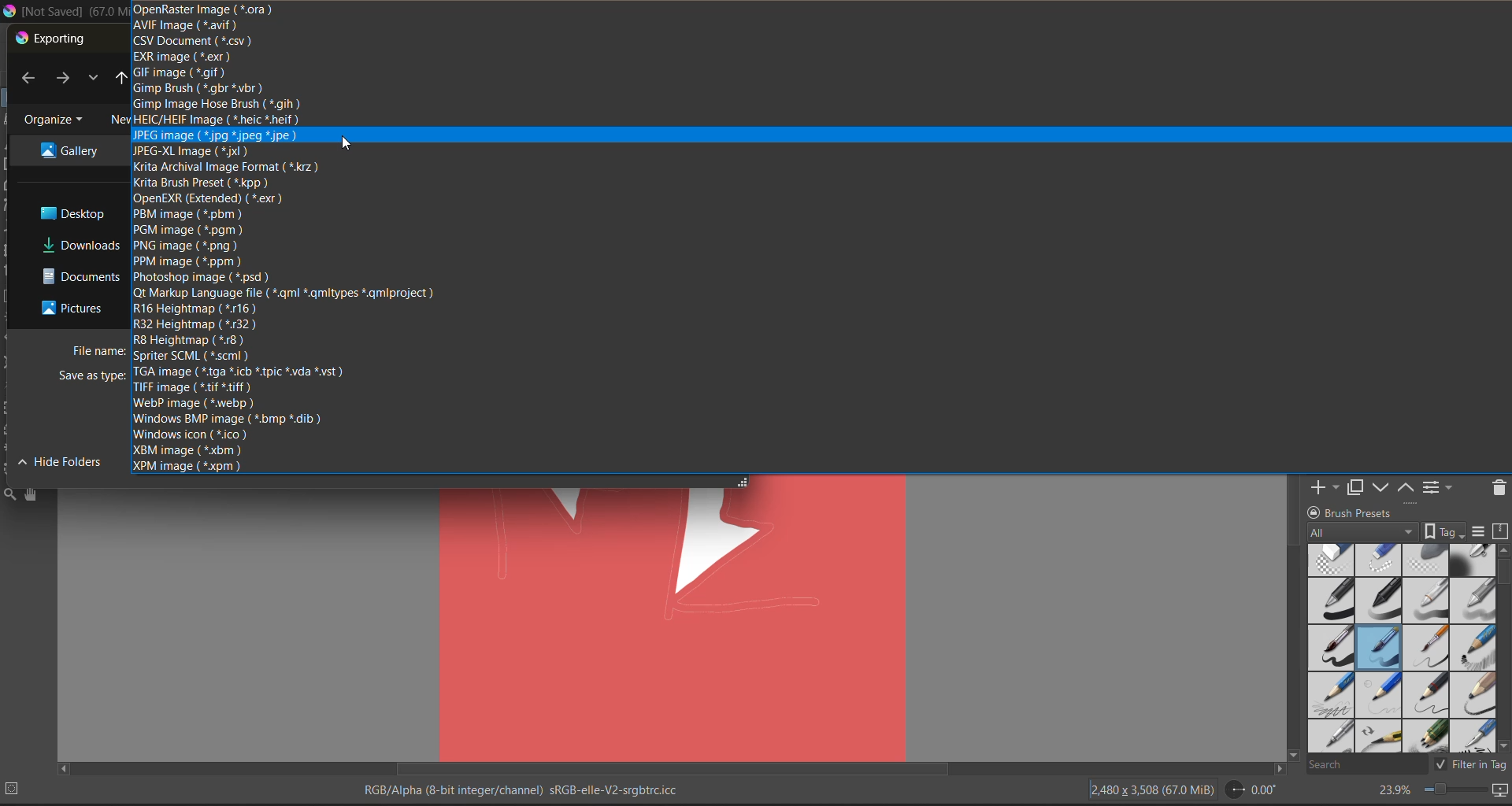 This screenshot has width=1512, height=806. Describe the element at coordinates (203, 10) in the screenshot. I see `open raster image` at that location.